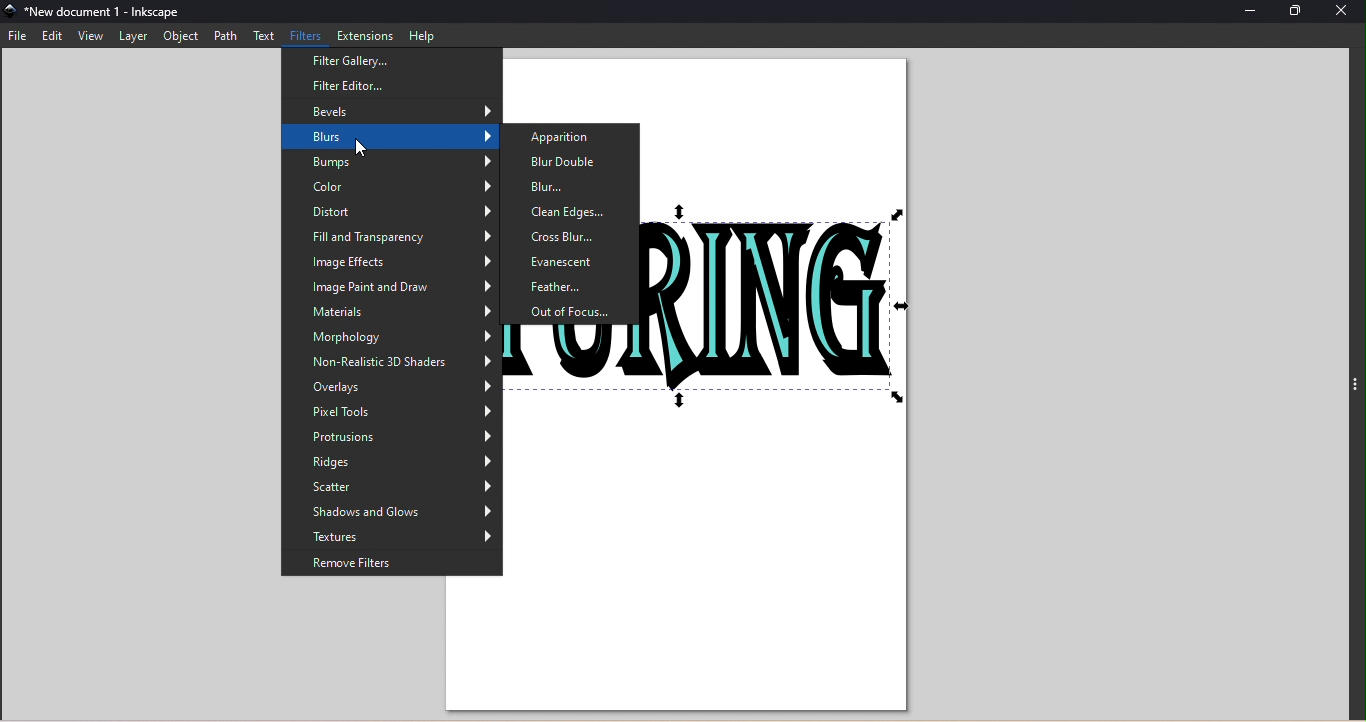 This screenshot has height=722, width=1366. Describe the element at coordinates (573, 311) in the screenshot. I see `Out of focus` at that location.